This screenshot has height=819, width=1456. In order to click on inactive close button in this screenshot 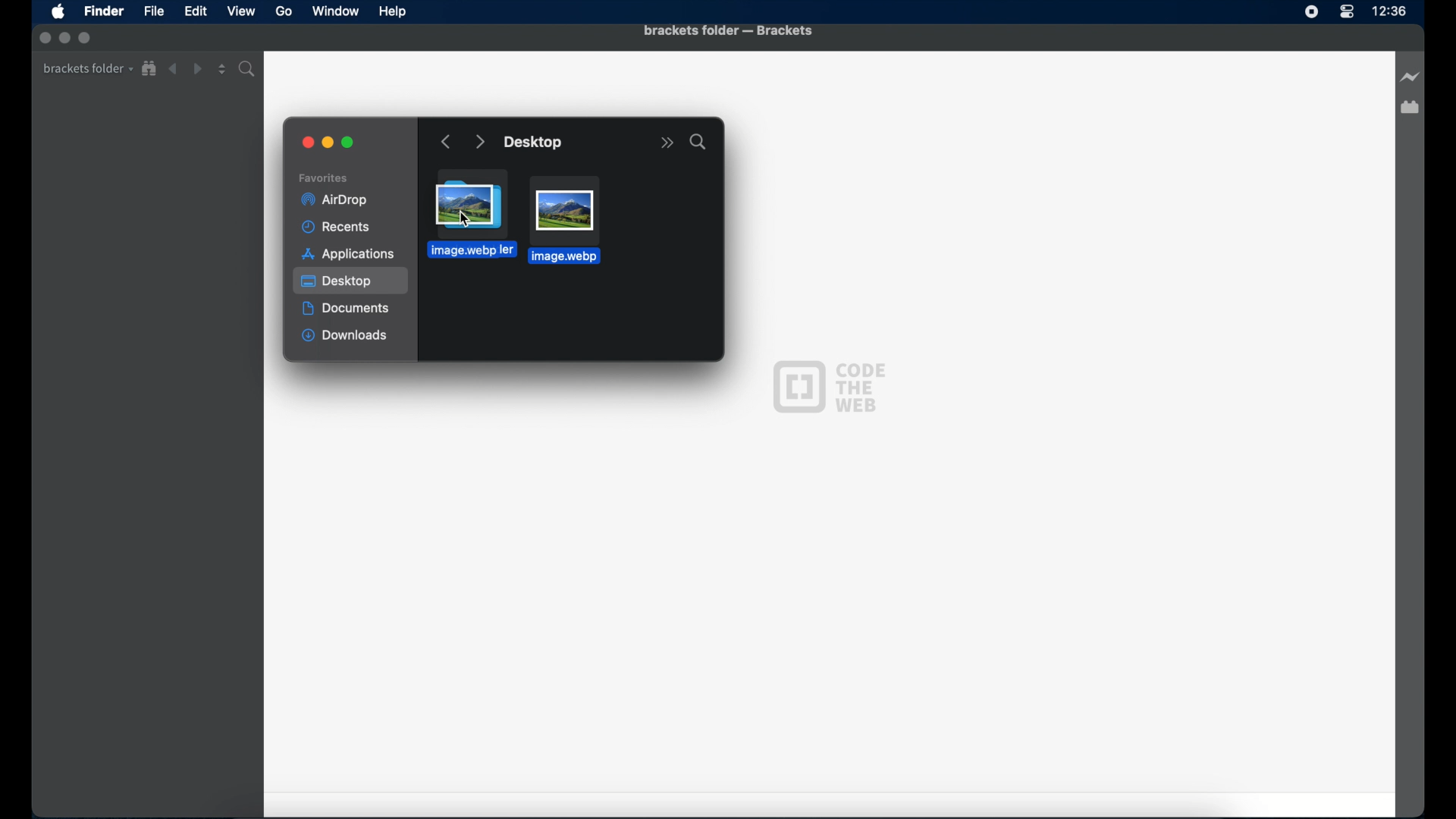, I will do `click(45, 38)`.